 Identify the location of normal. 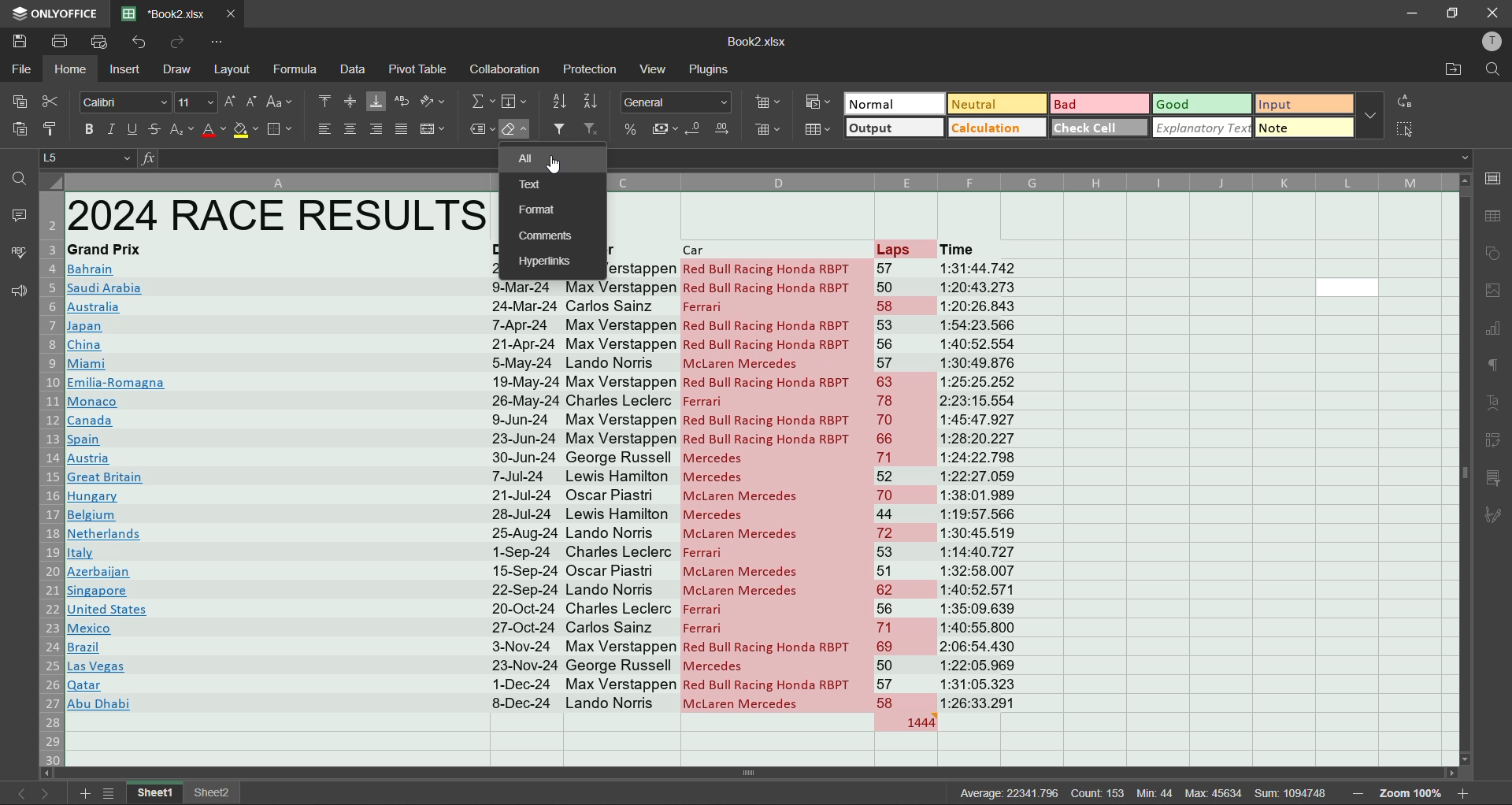
(894, 102).